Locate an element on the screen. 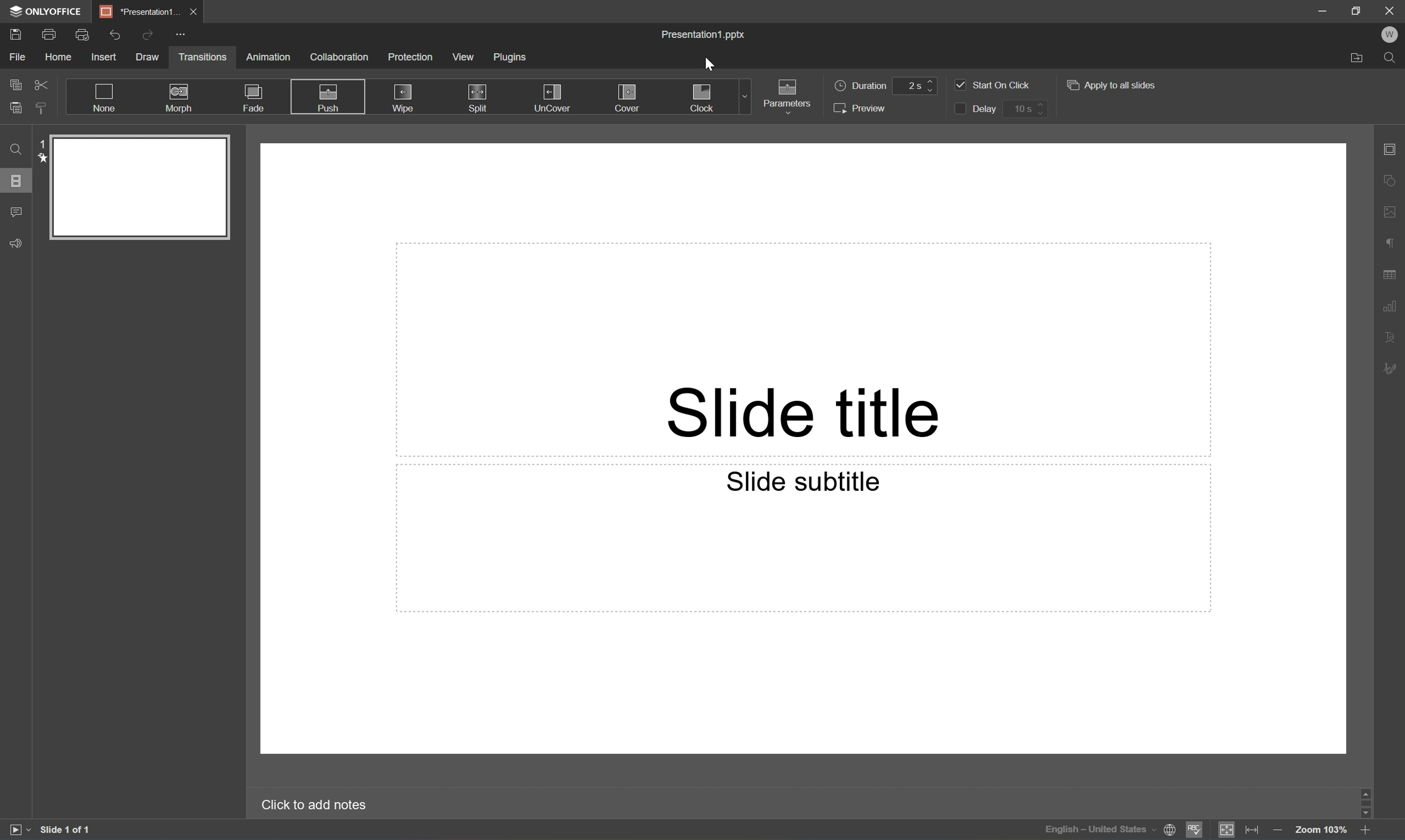 This screenshot has height=840, width=1405. Signature settings is located at coordinates (1392, 371).